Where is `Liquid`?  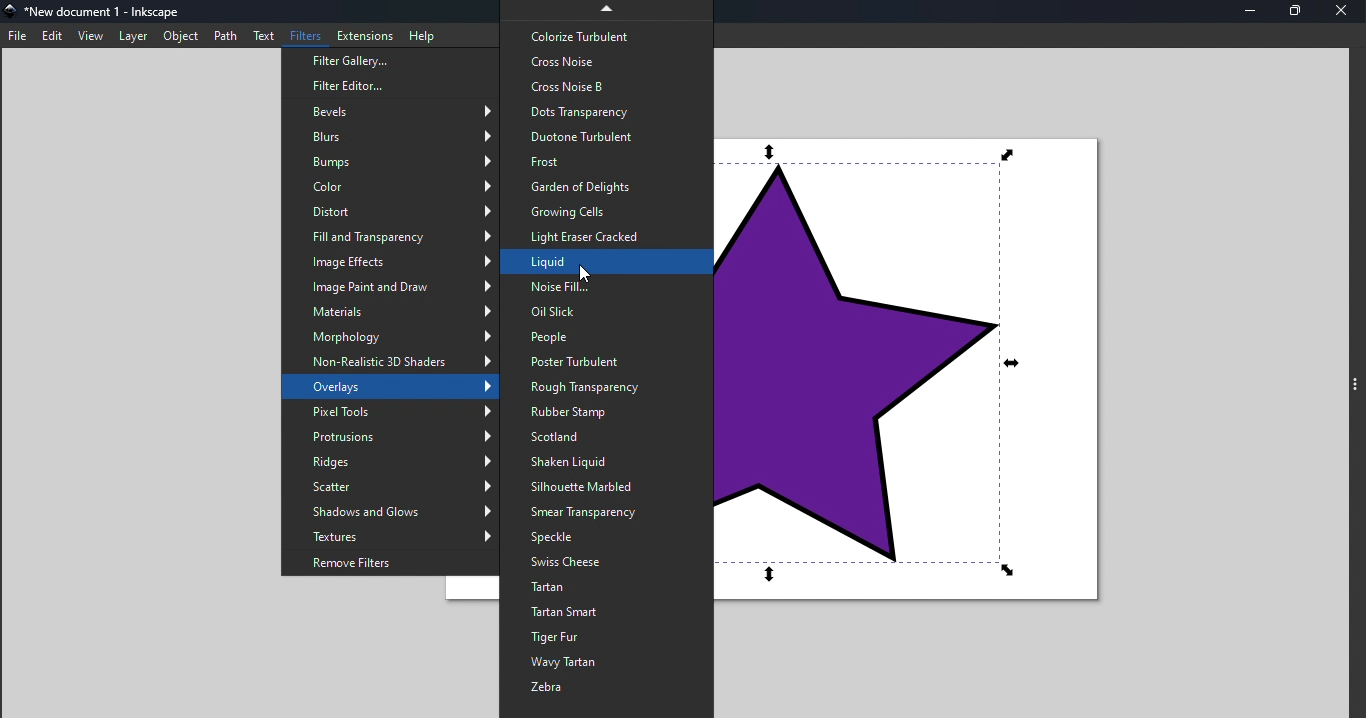
Liquid is located at coordinates (604, 261).